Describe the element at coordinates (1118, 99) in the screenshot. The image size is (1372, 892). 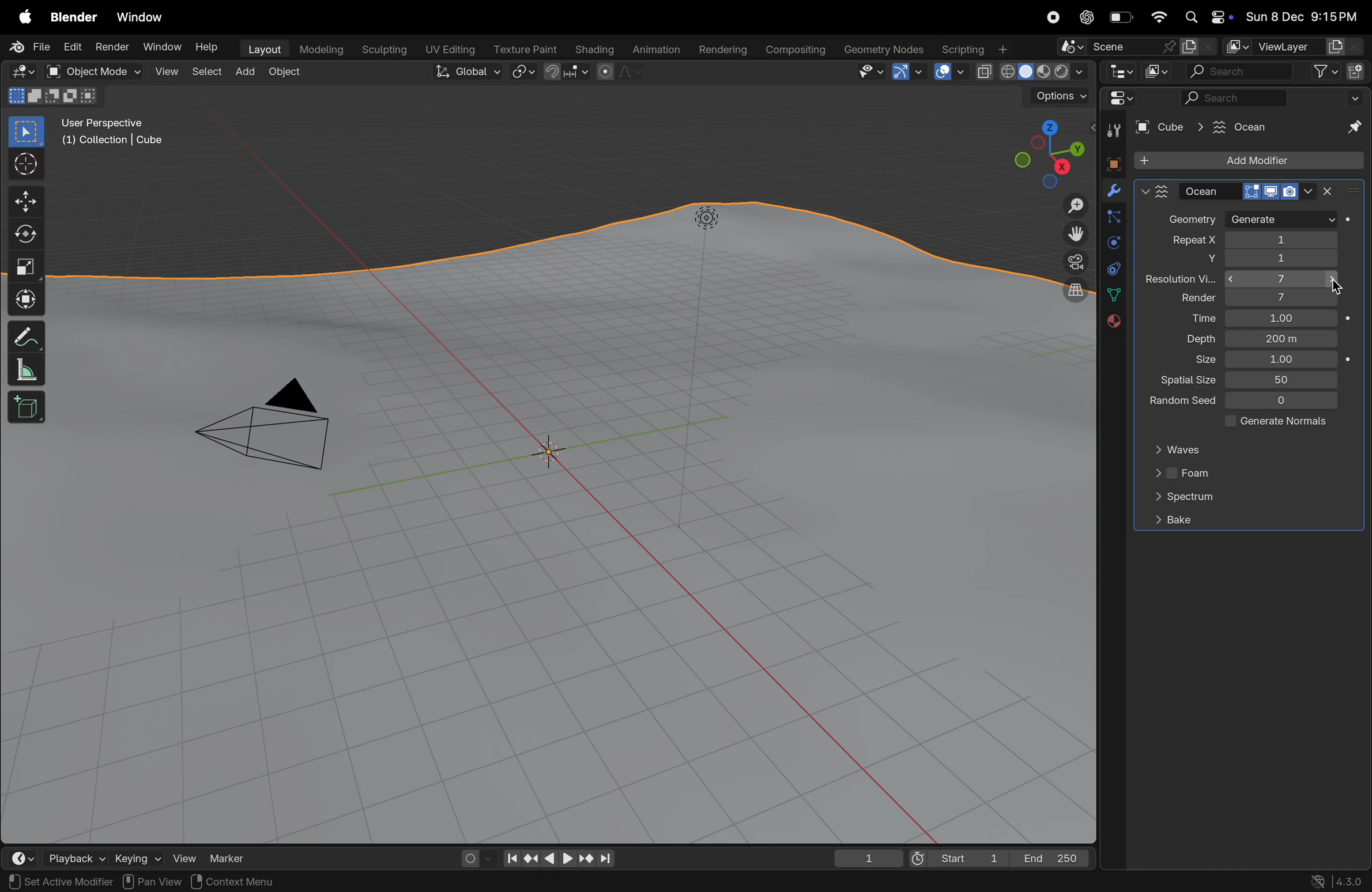
I see `widgets` at that location.